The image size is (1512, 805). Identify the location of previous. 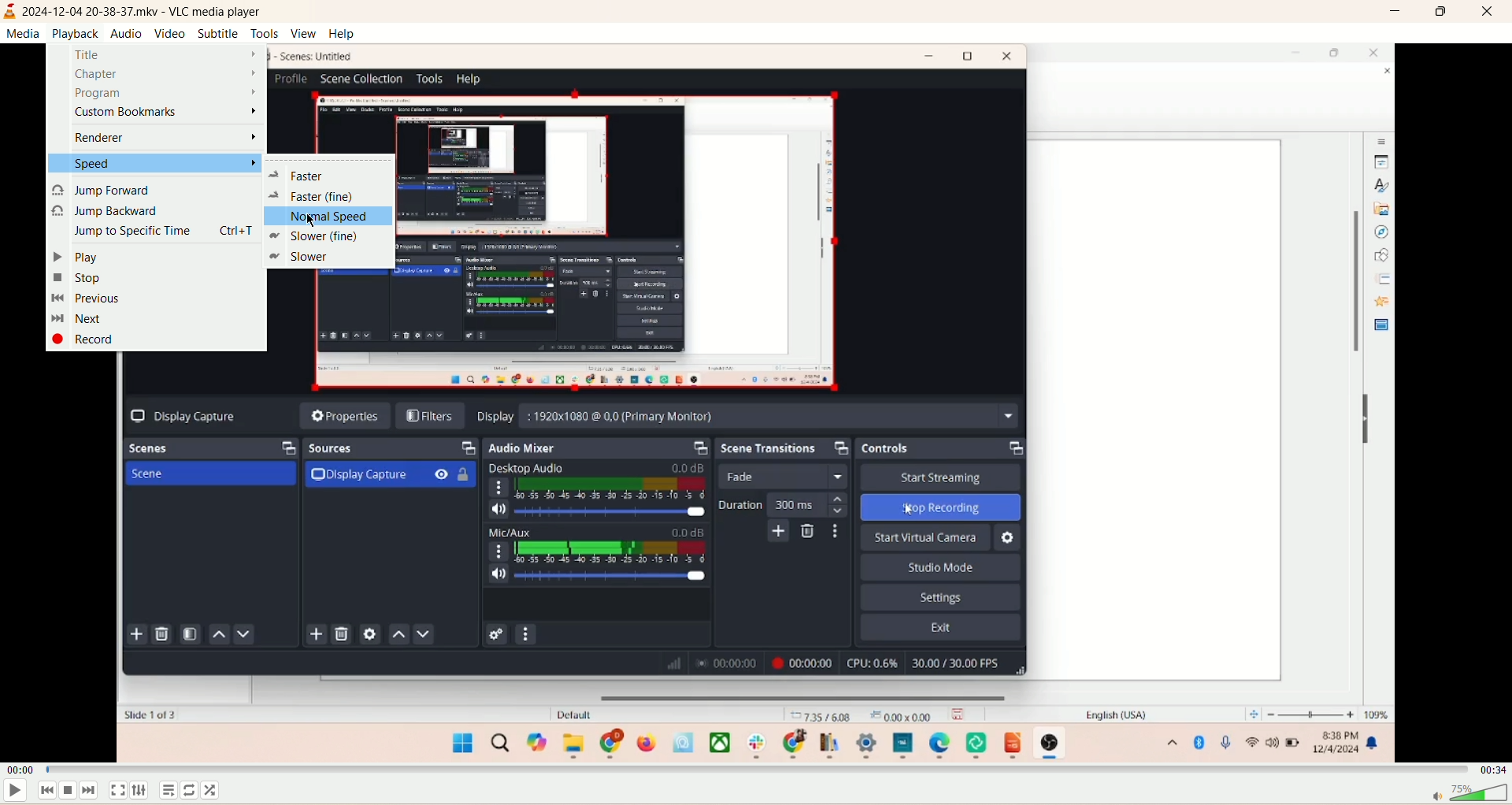
(87, 299).